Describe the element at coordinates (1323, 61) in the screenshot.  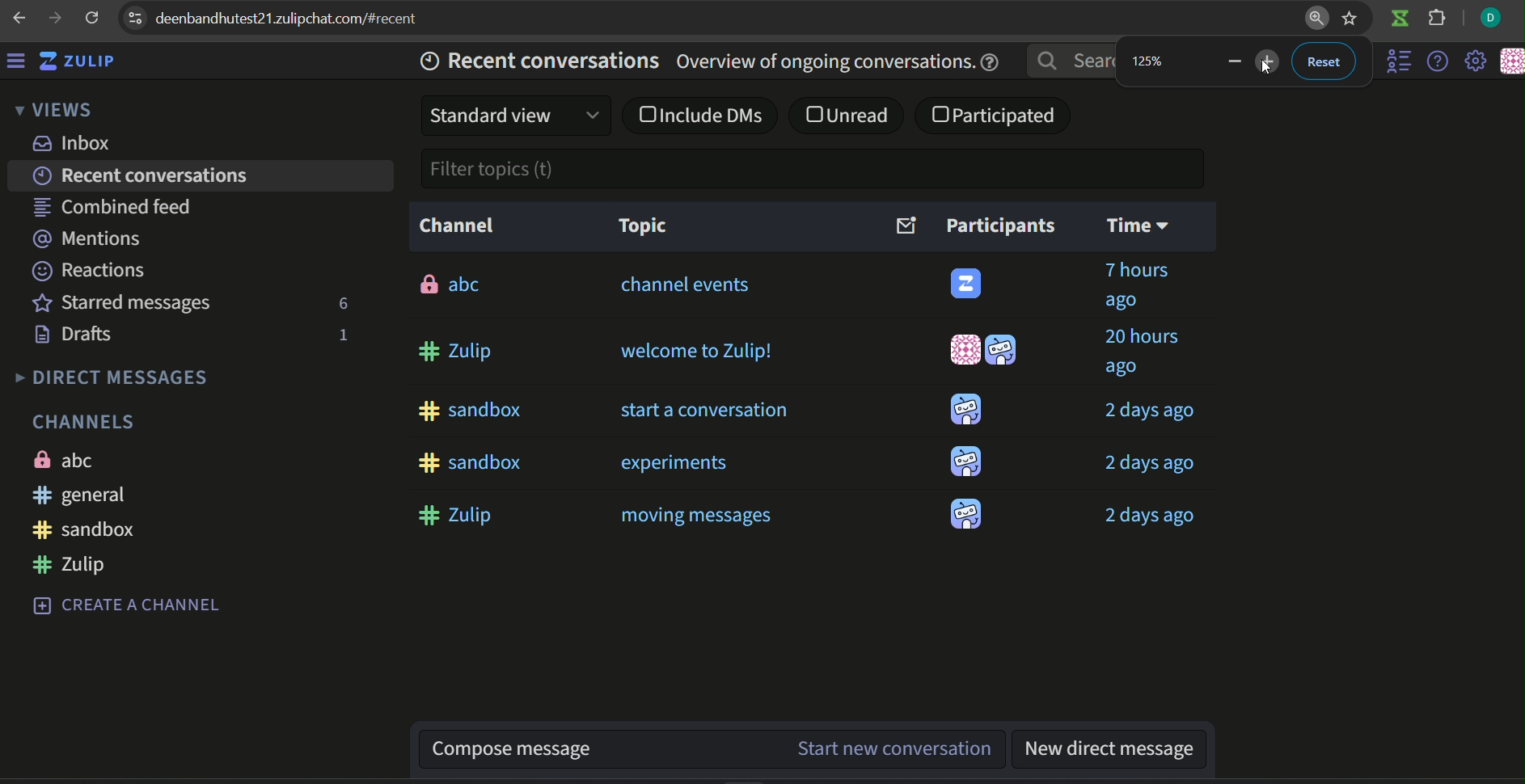
I see `reset` at that location.